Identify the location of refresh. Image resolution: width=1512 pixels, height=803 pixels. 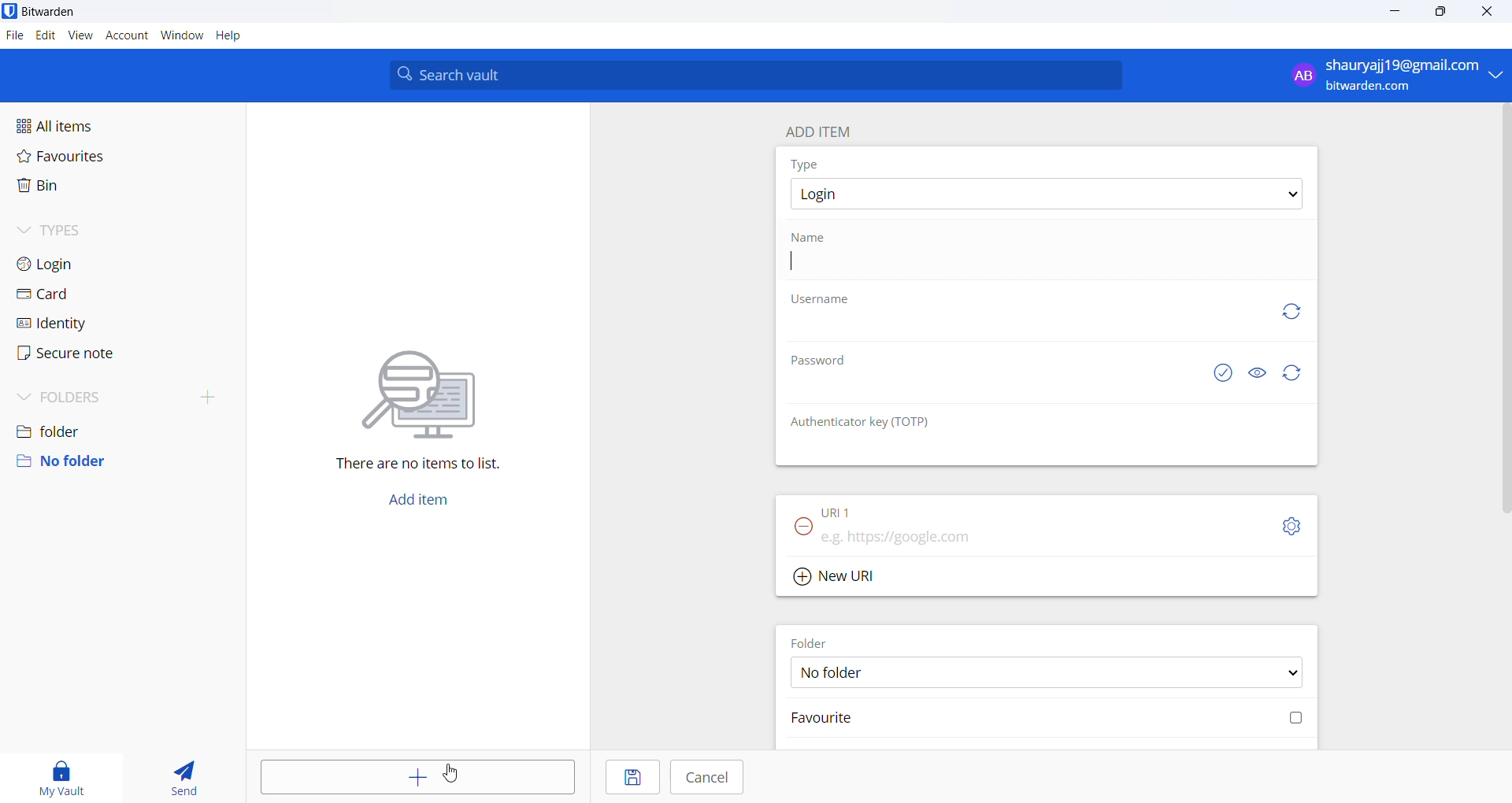
(1288, 311).